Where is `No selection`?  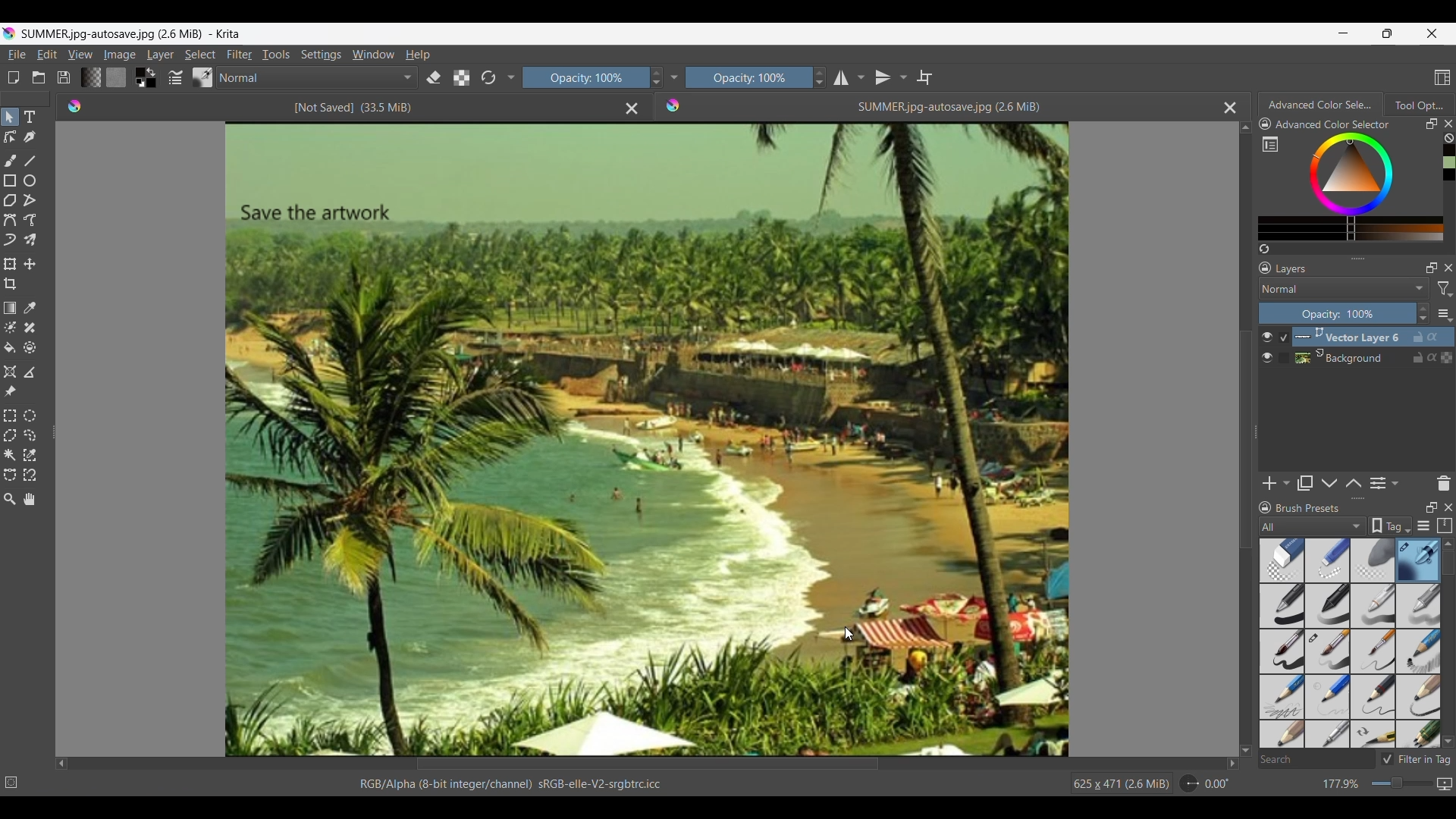 No selection is located at coordinates (11, 783).